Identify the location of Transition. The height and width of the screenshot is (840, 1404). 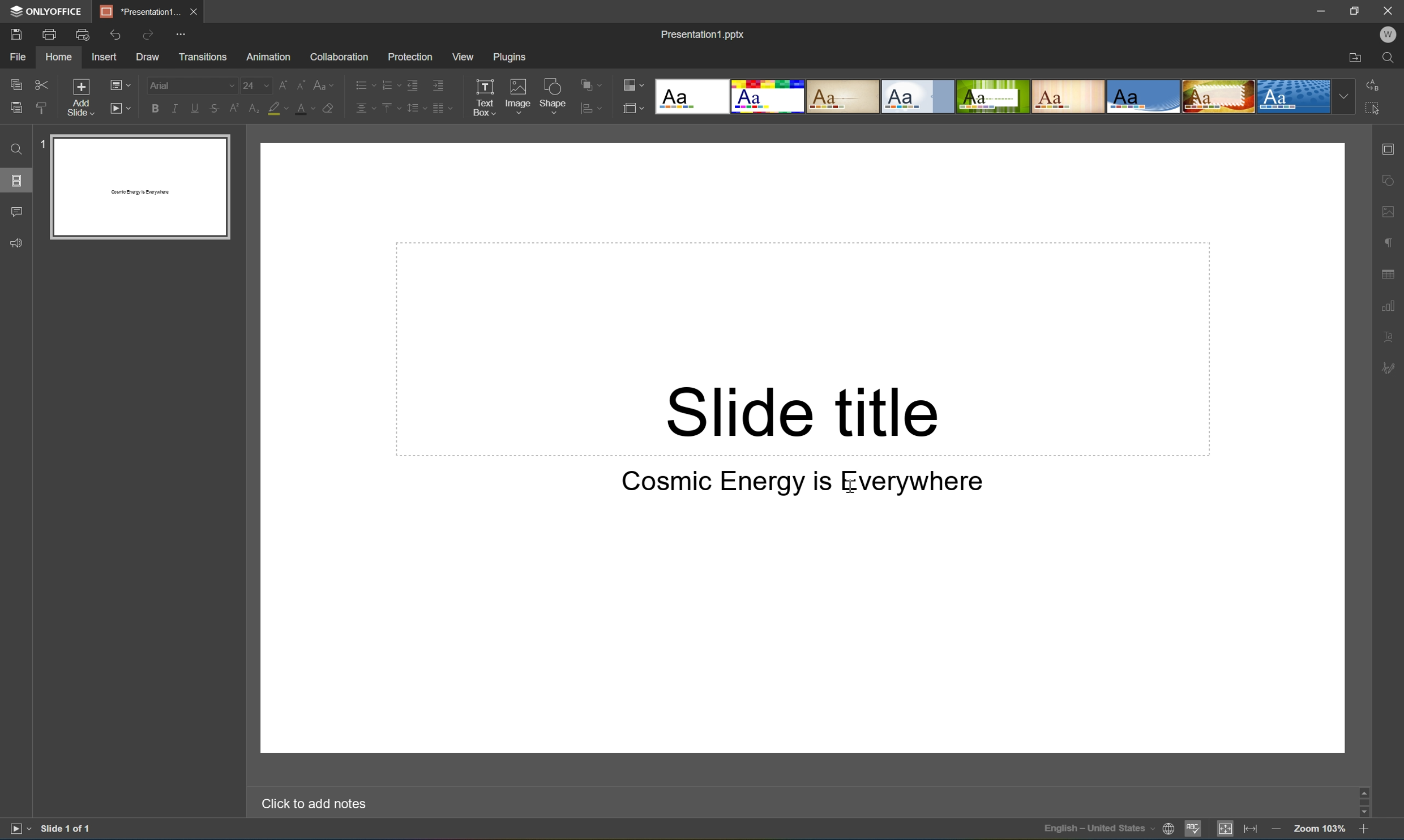
(205, 55).